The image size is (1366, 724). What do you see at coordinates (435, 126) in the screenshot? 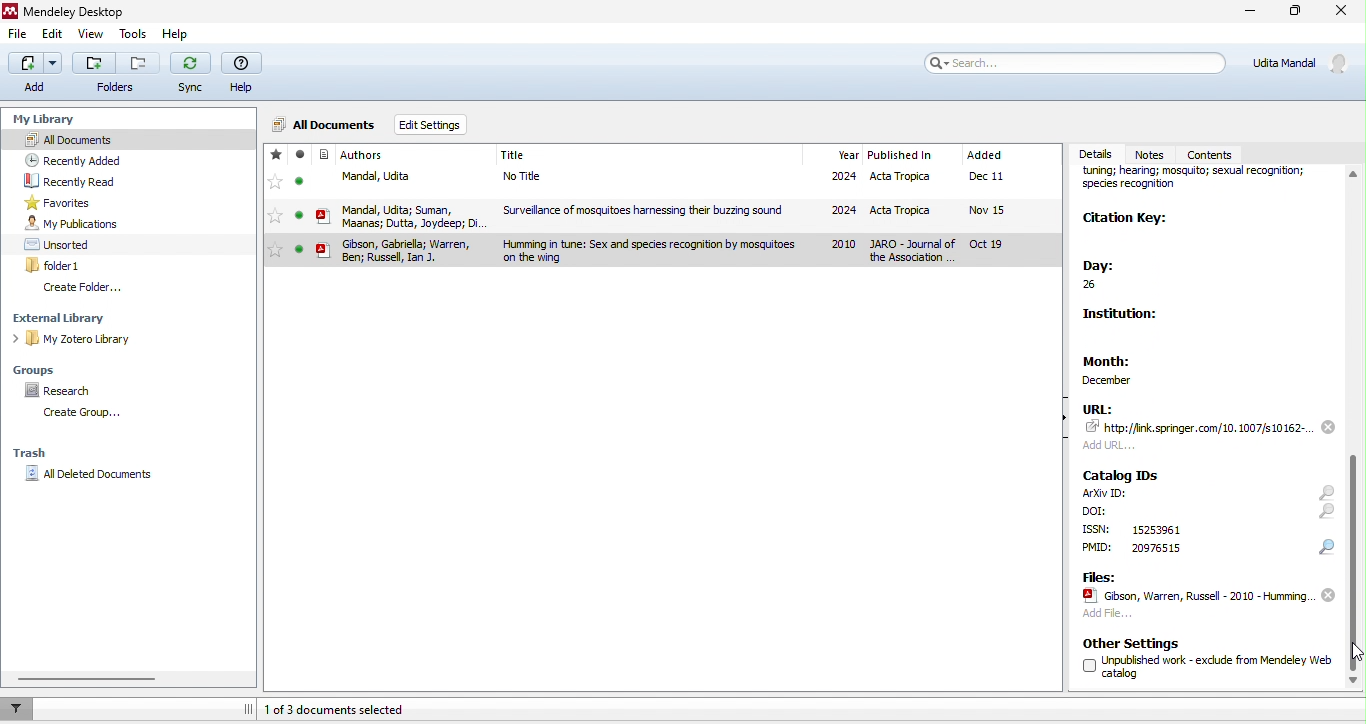
I see `edit settings` at bounding box center [435, 126].